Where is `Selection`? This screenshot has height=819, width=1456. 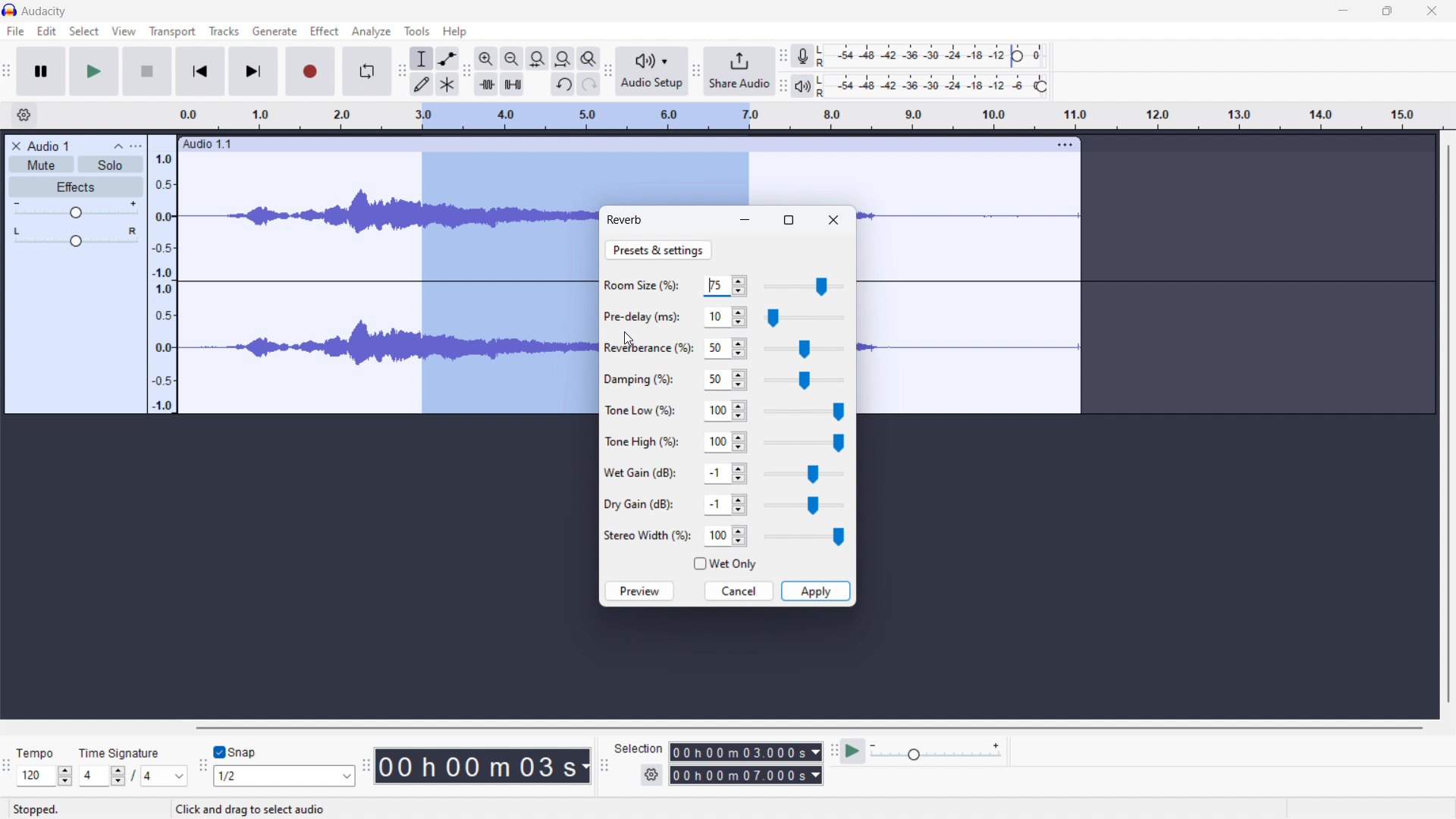
Selection is located at coordinates (639, 750).